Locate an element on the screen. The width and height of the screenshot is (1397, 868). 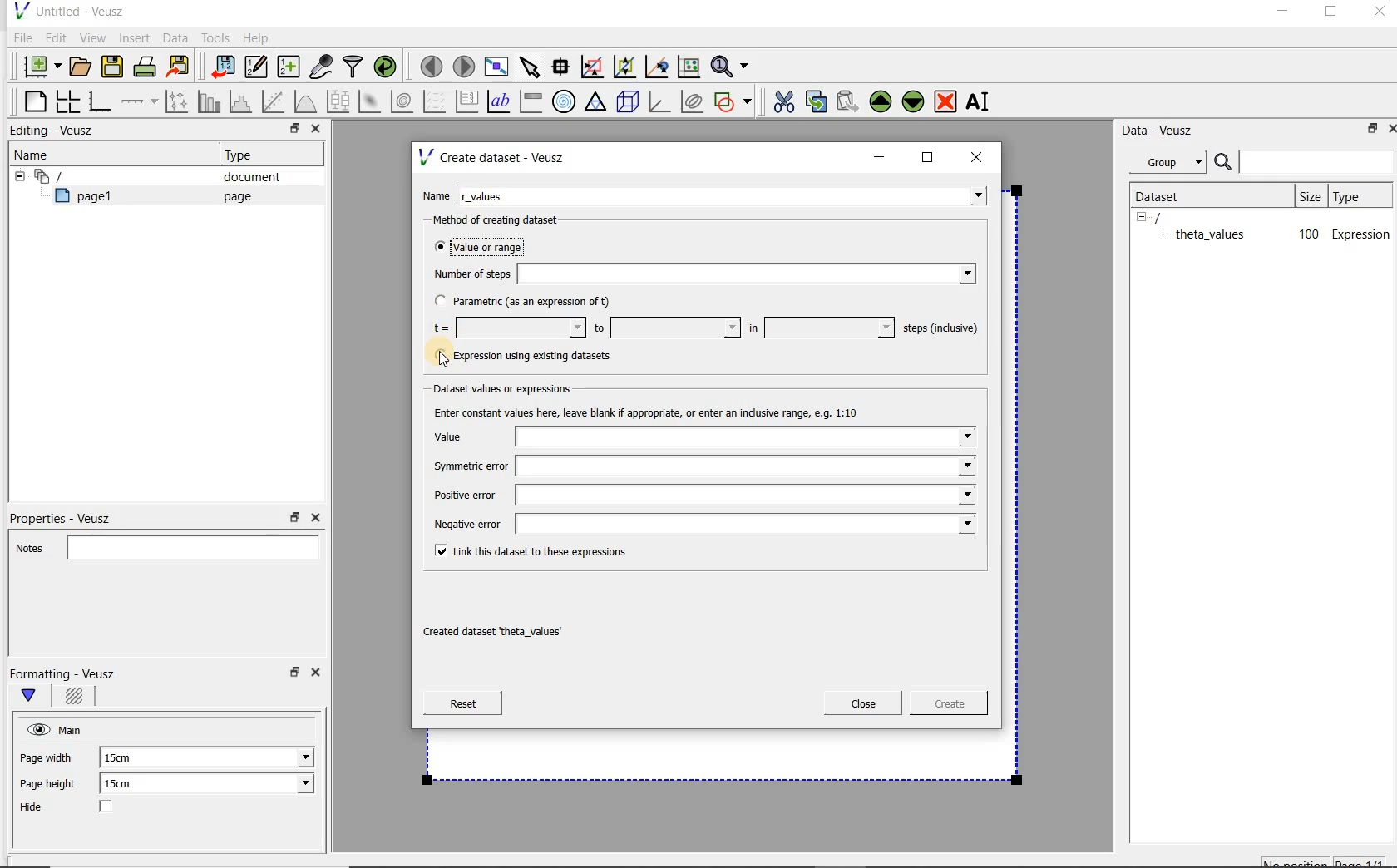
Create dataset - Veusz is located at coordinates (494, 157).